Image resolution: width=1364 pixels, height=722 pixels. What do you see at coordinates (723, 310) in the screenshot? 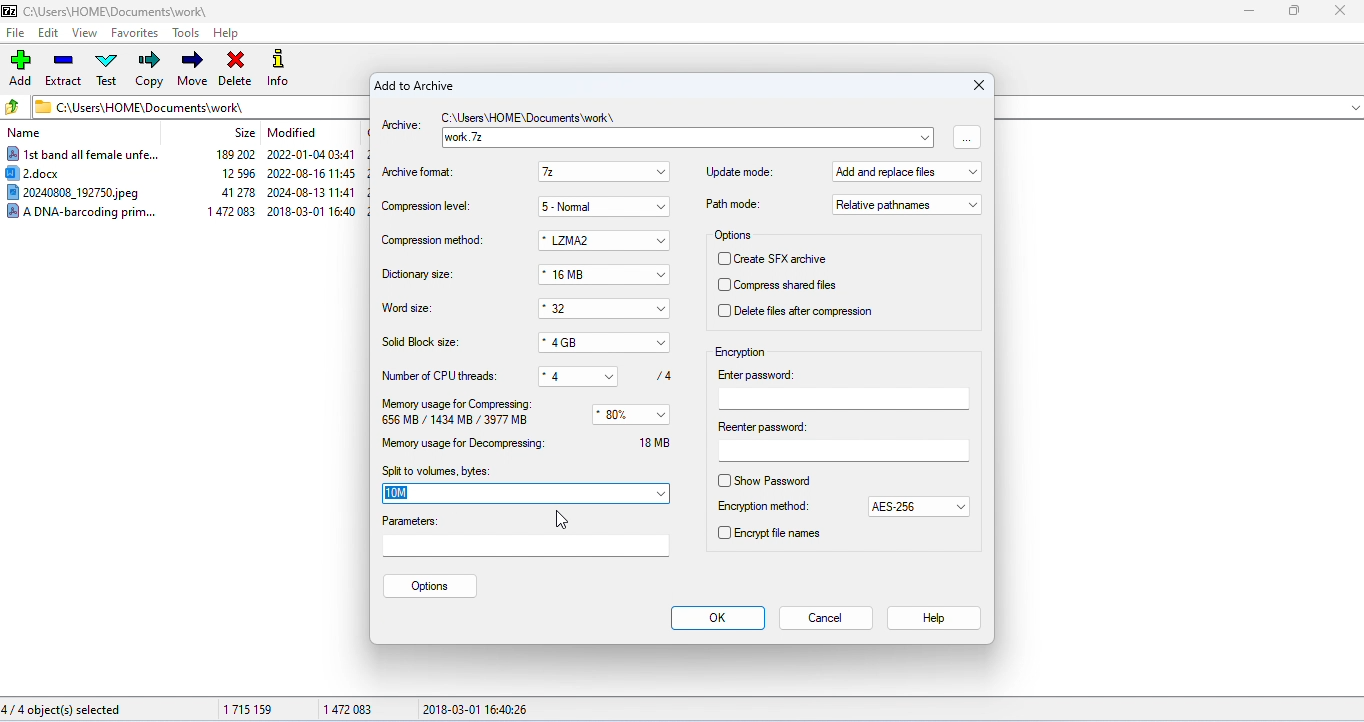
I see `checkbox` at bounding box center [723, 310].